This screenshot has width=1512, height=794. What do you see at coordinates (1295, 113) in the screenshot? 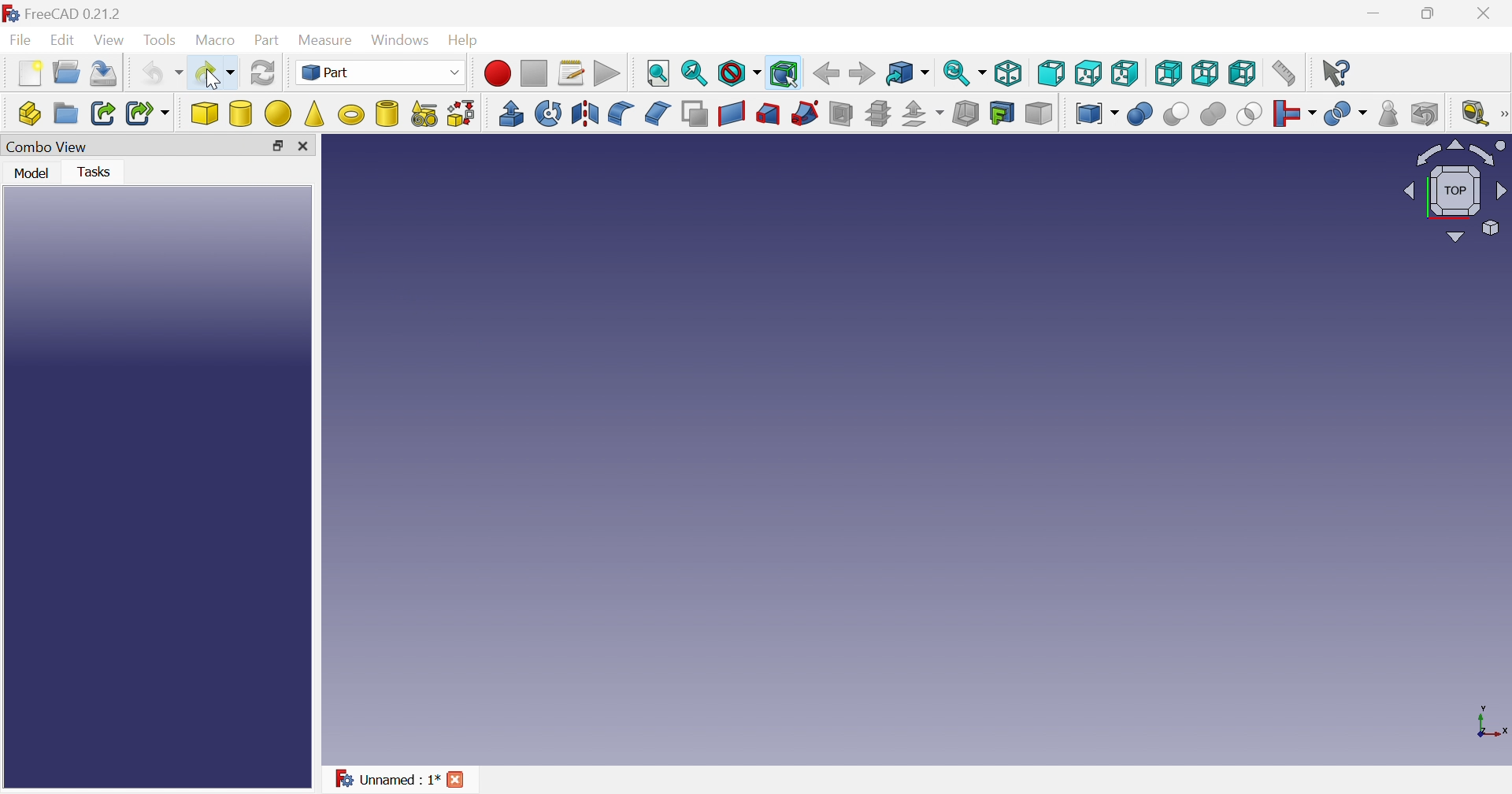
I see `Join objects...` at bounding box center [1295, 113].